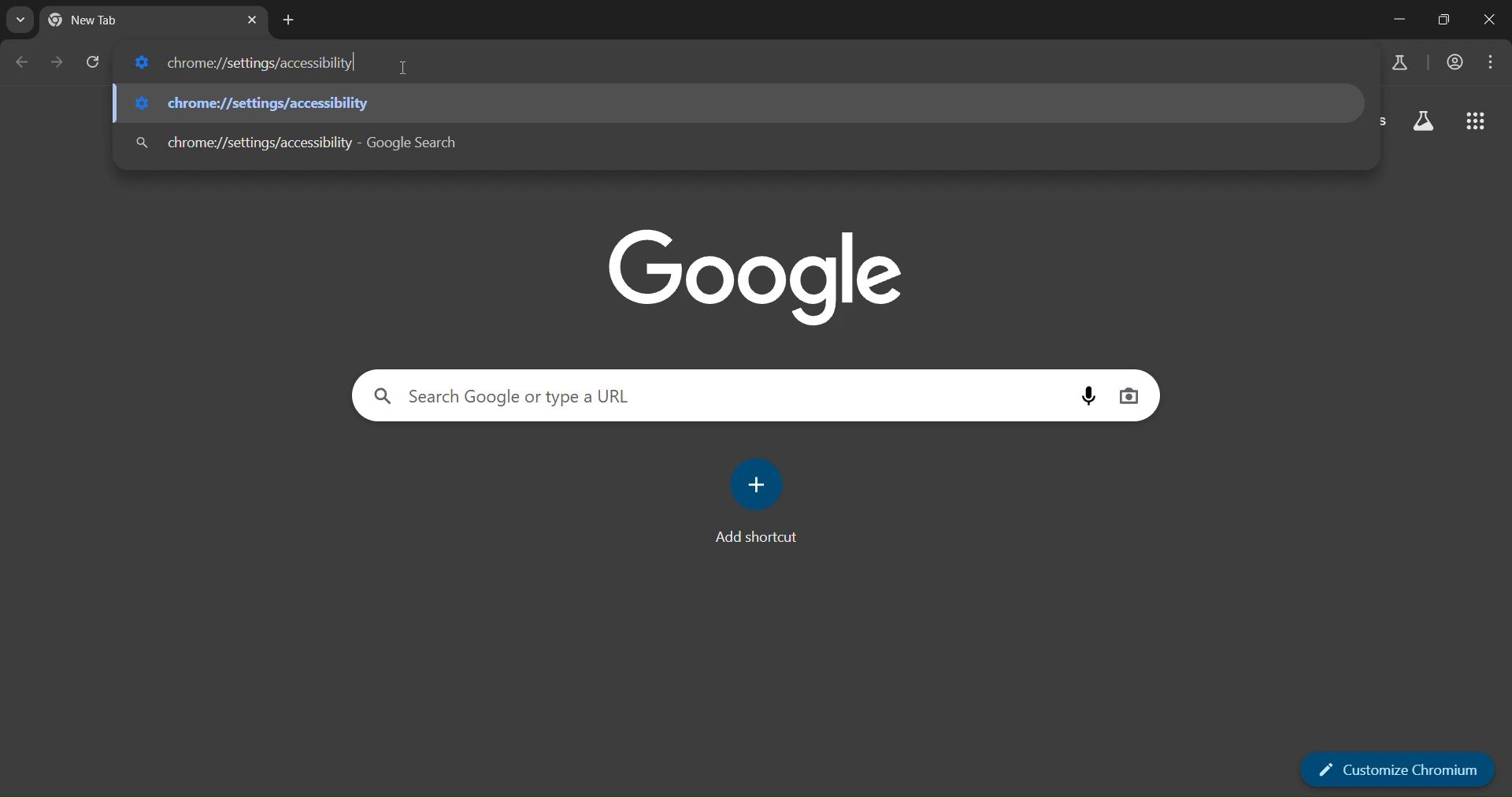 Image resolution: width=1512 pixels, height=797 pixels. I want to click on customize chromium, so click(1399, 768).